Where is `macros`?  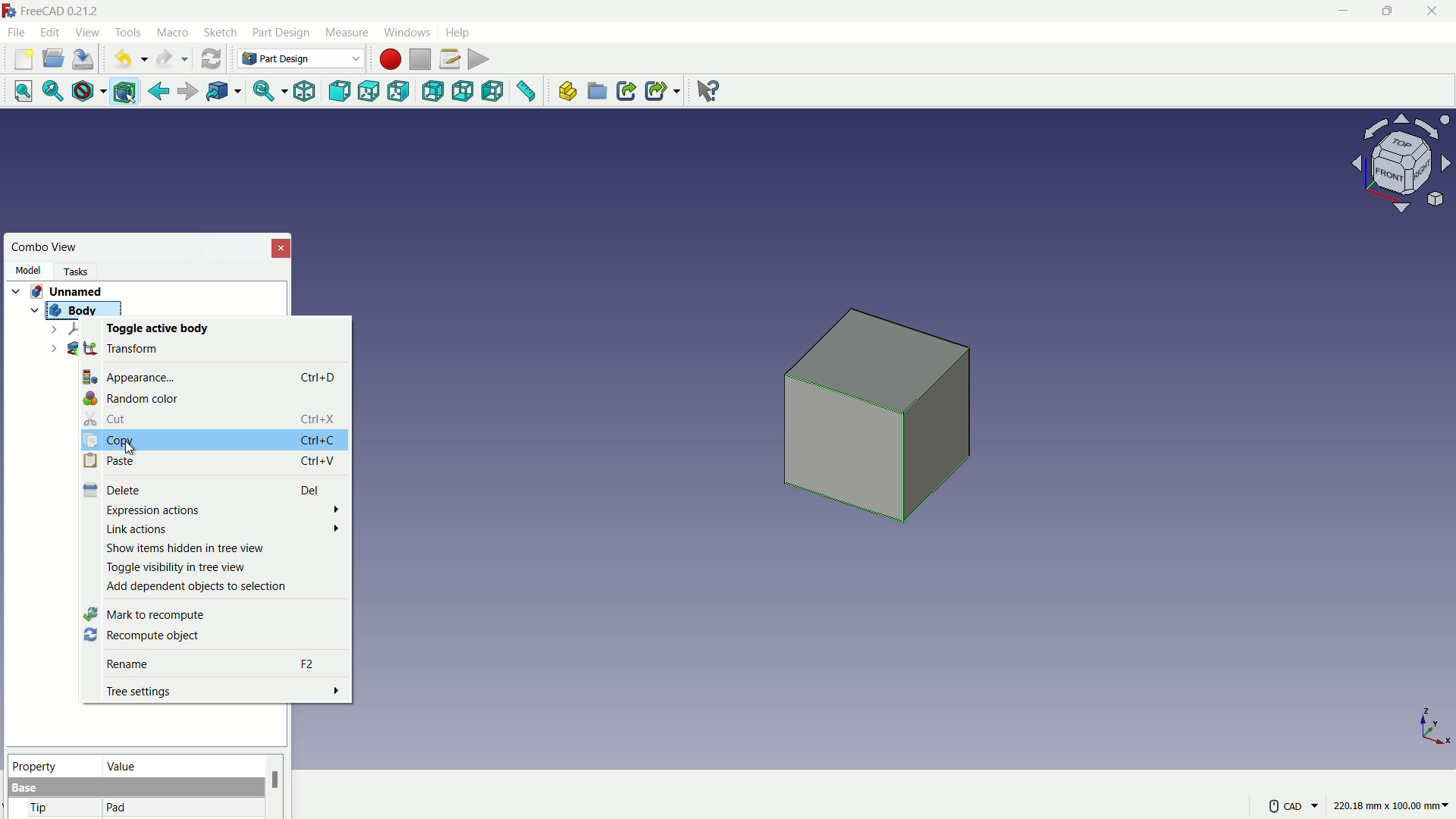 macros is located at coordinates (449, 58).